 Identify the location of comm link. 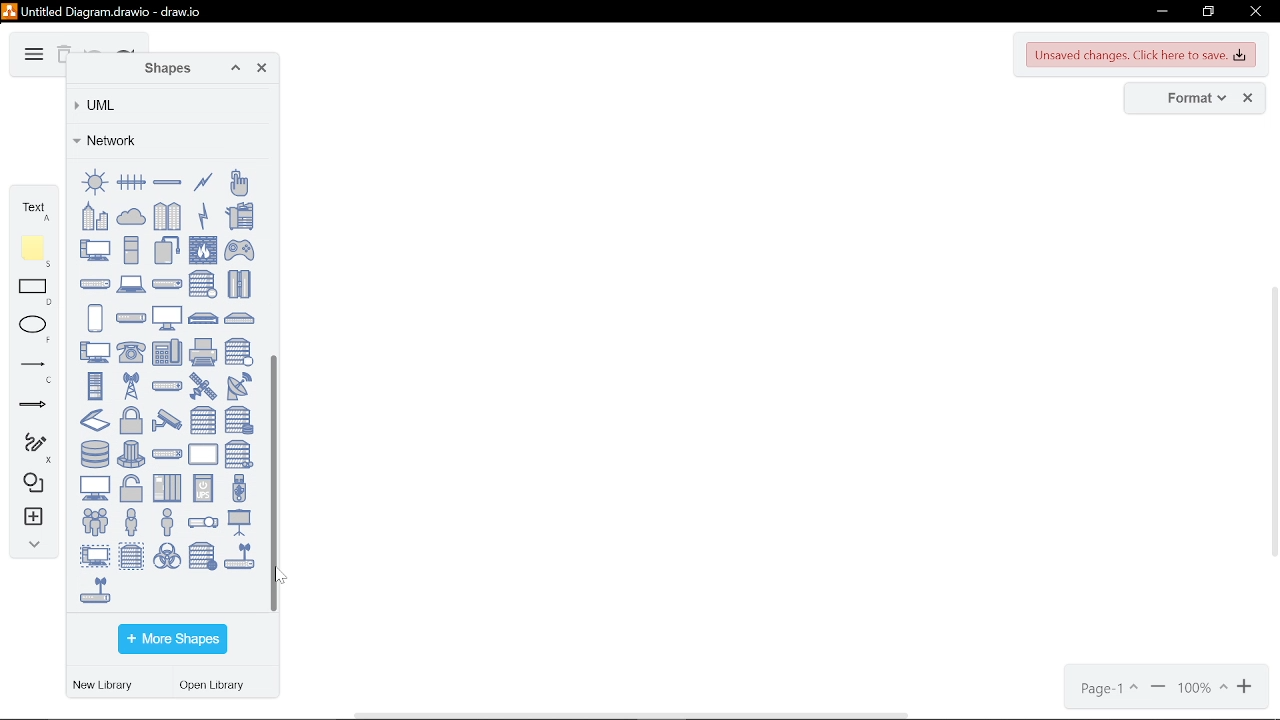
(203, 182).